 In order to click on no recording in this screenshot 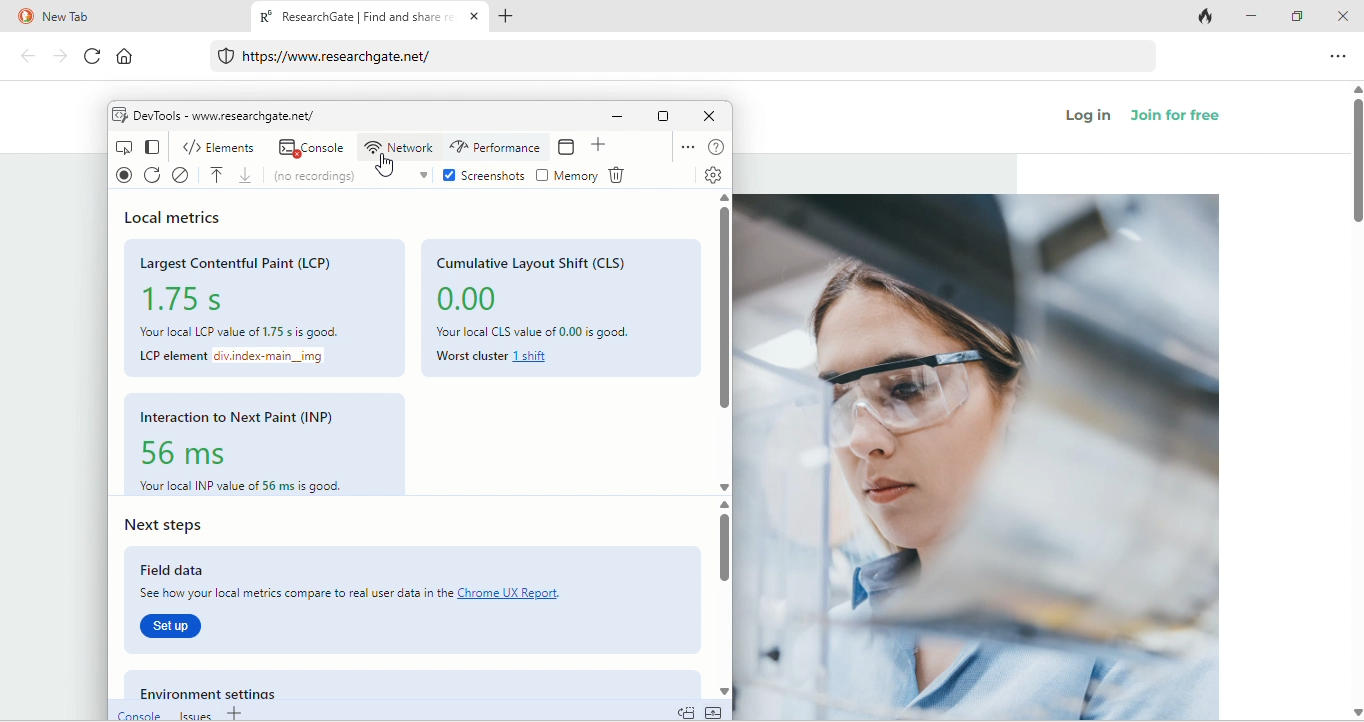, I will do `click(353, 176)`.